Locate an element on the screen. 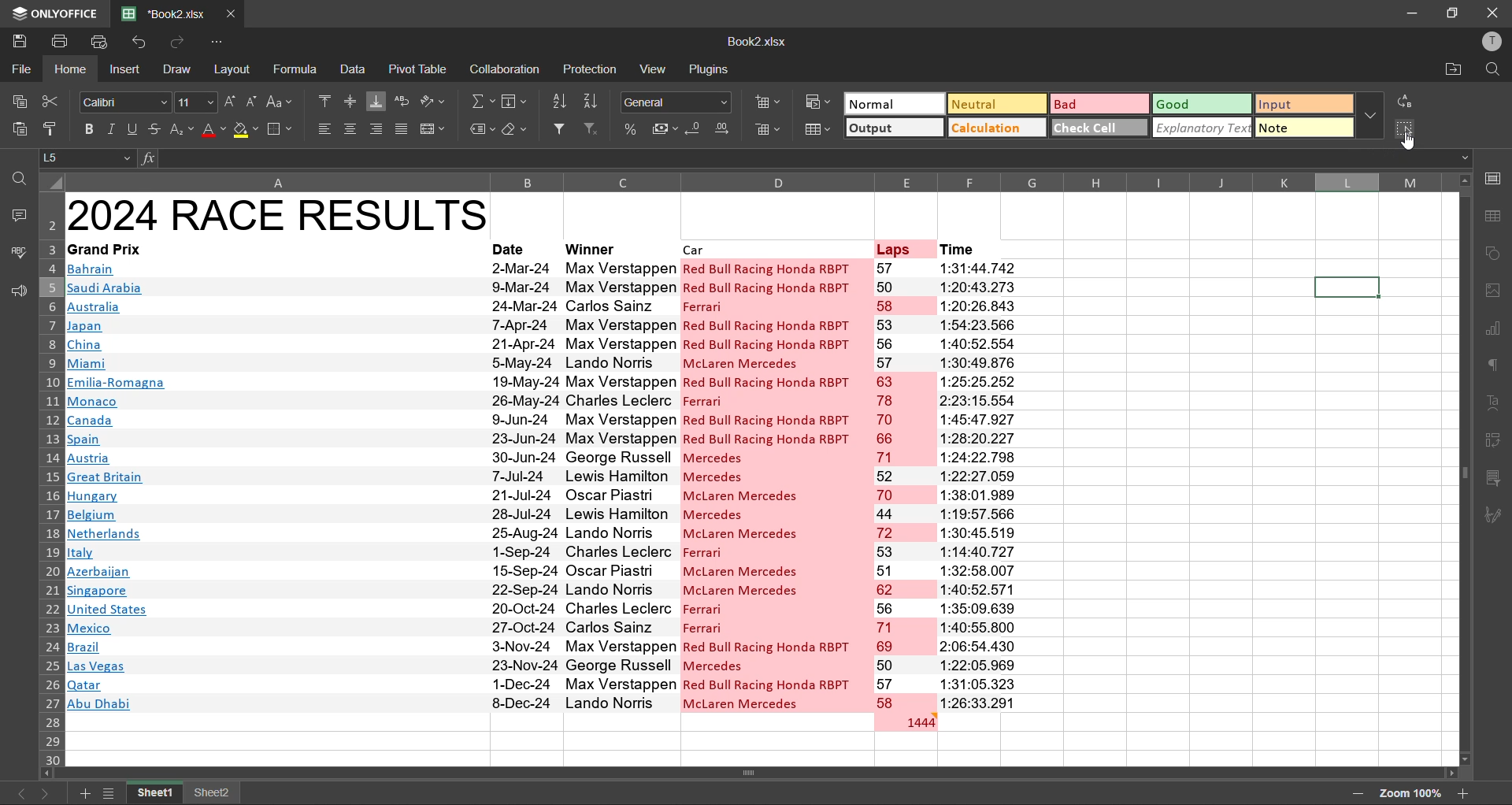 The image size is (1512, 805). font size is located at coordinates (198, 102).